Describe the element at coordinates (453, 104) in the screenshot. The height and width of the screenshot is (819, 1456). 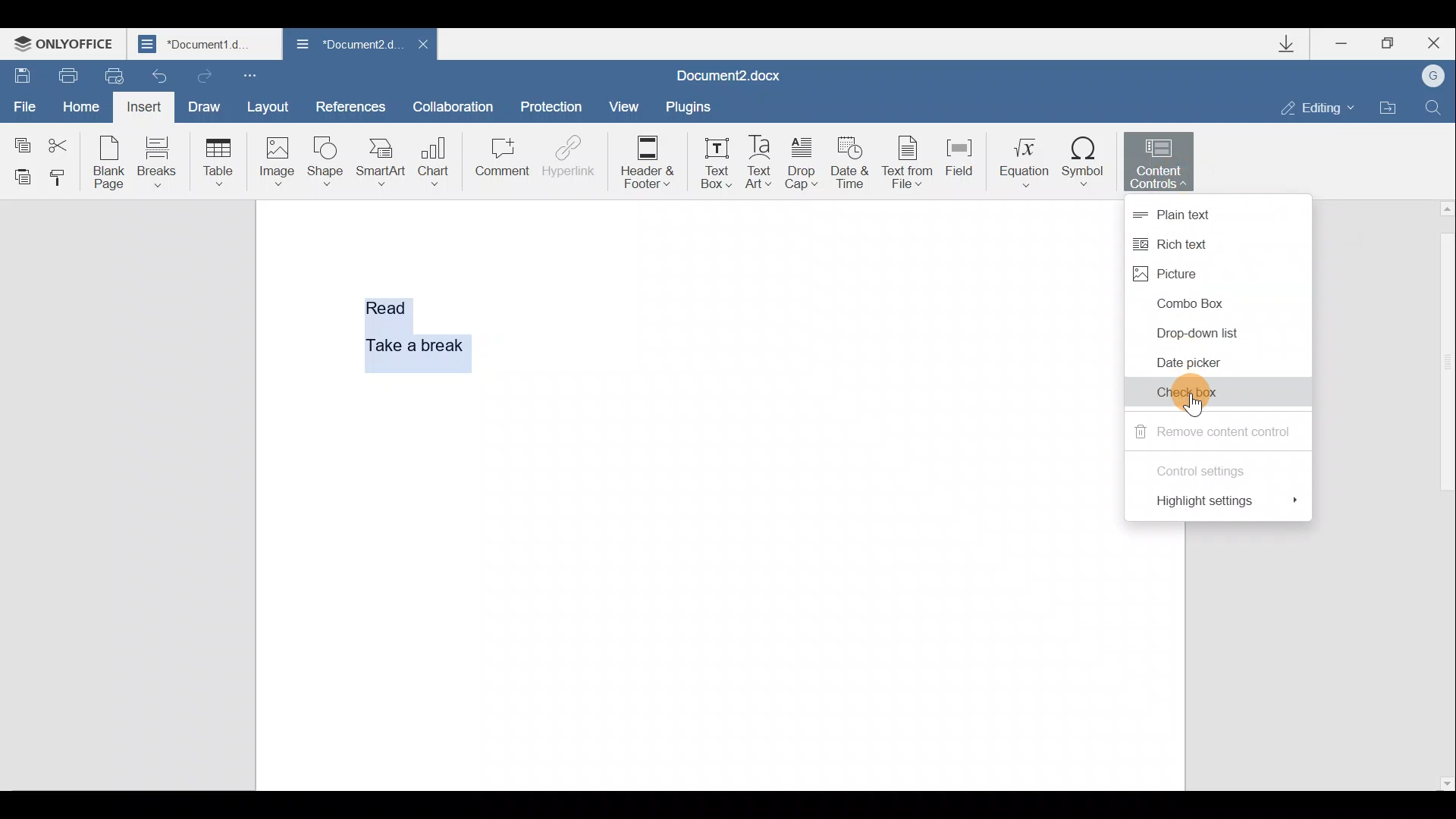
I see `Collaboration` at that location.